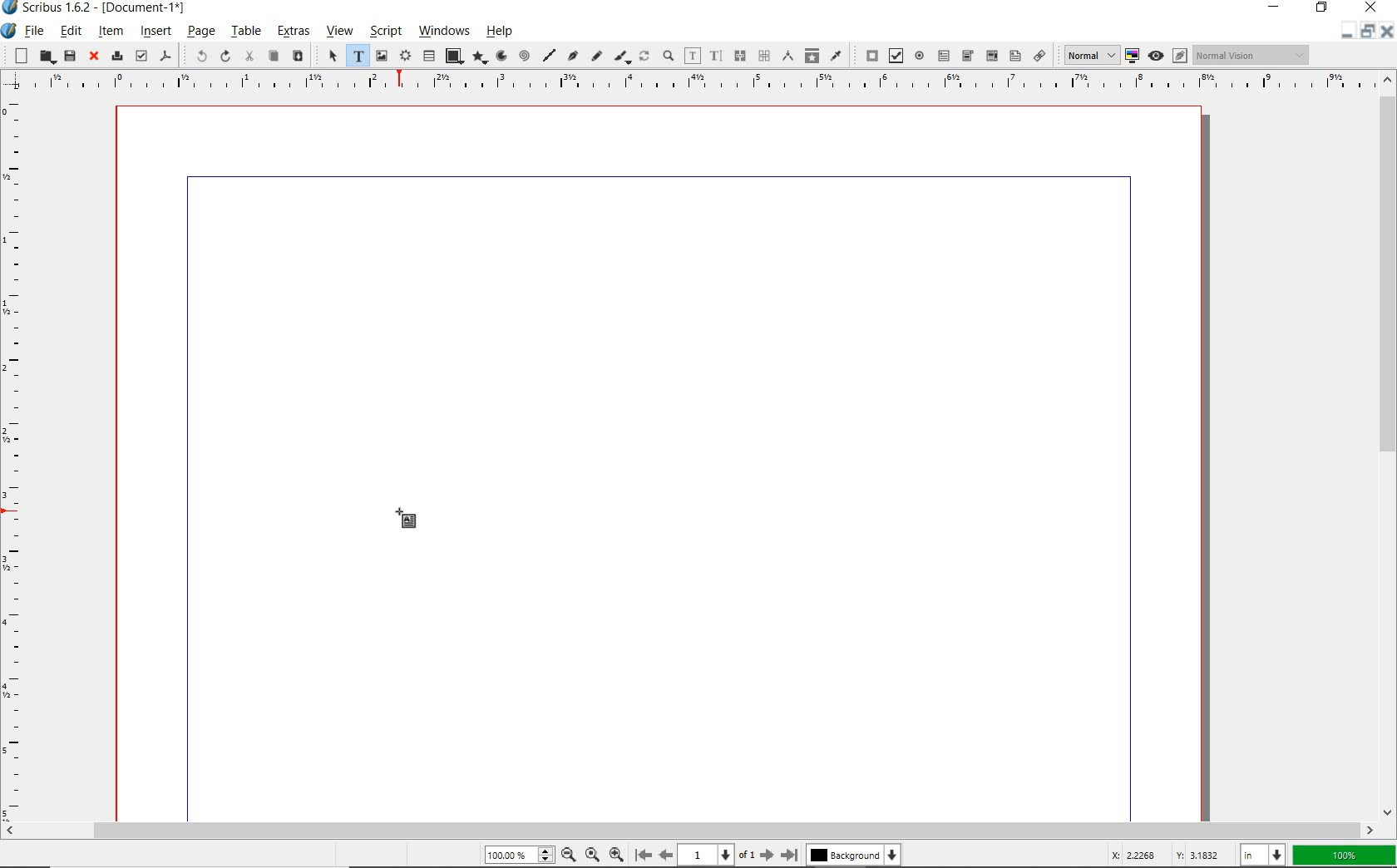 The height and width of the screenshot is (868, 1397). I want to click on script, so click(383, 32).